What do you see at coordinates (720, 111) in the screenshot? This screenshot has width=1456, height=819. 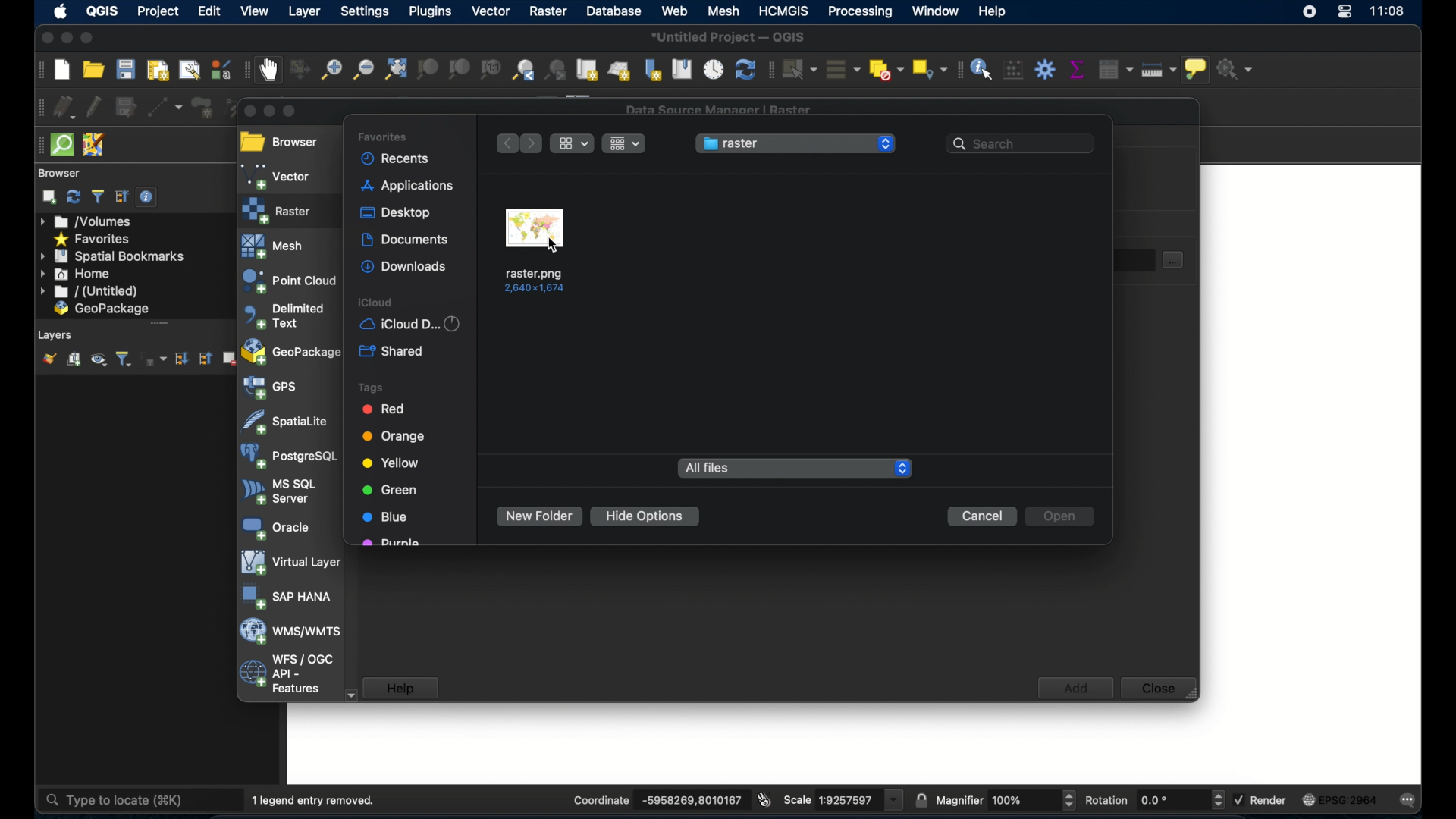 I see `data source manager raster` at bounding box center [720, 111].